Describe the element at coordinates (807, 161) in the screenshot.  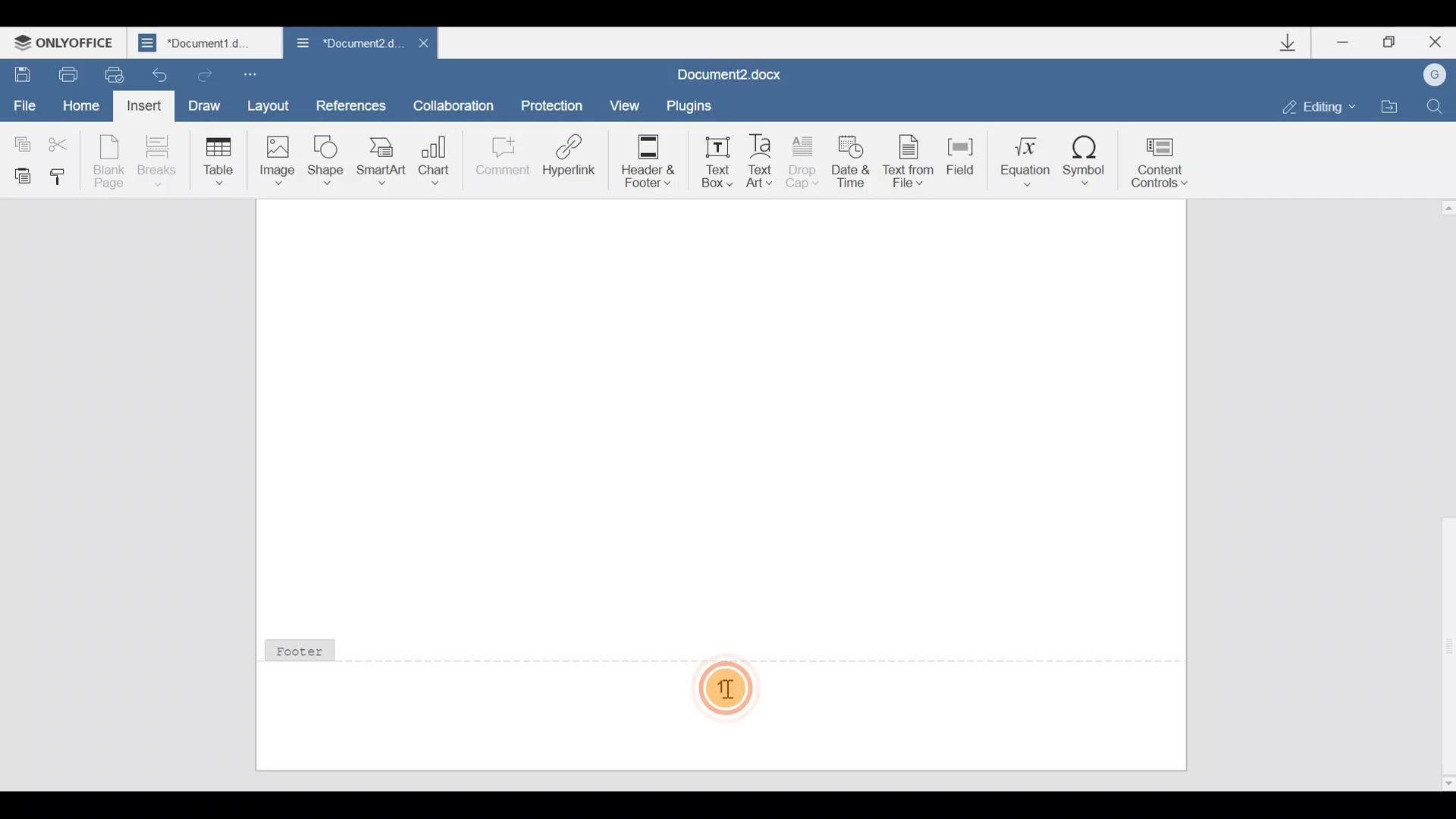
I see `Drop cap` at that location.